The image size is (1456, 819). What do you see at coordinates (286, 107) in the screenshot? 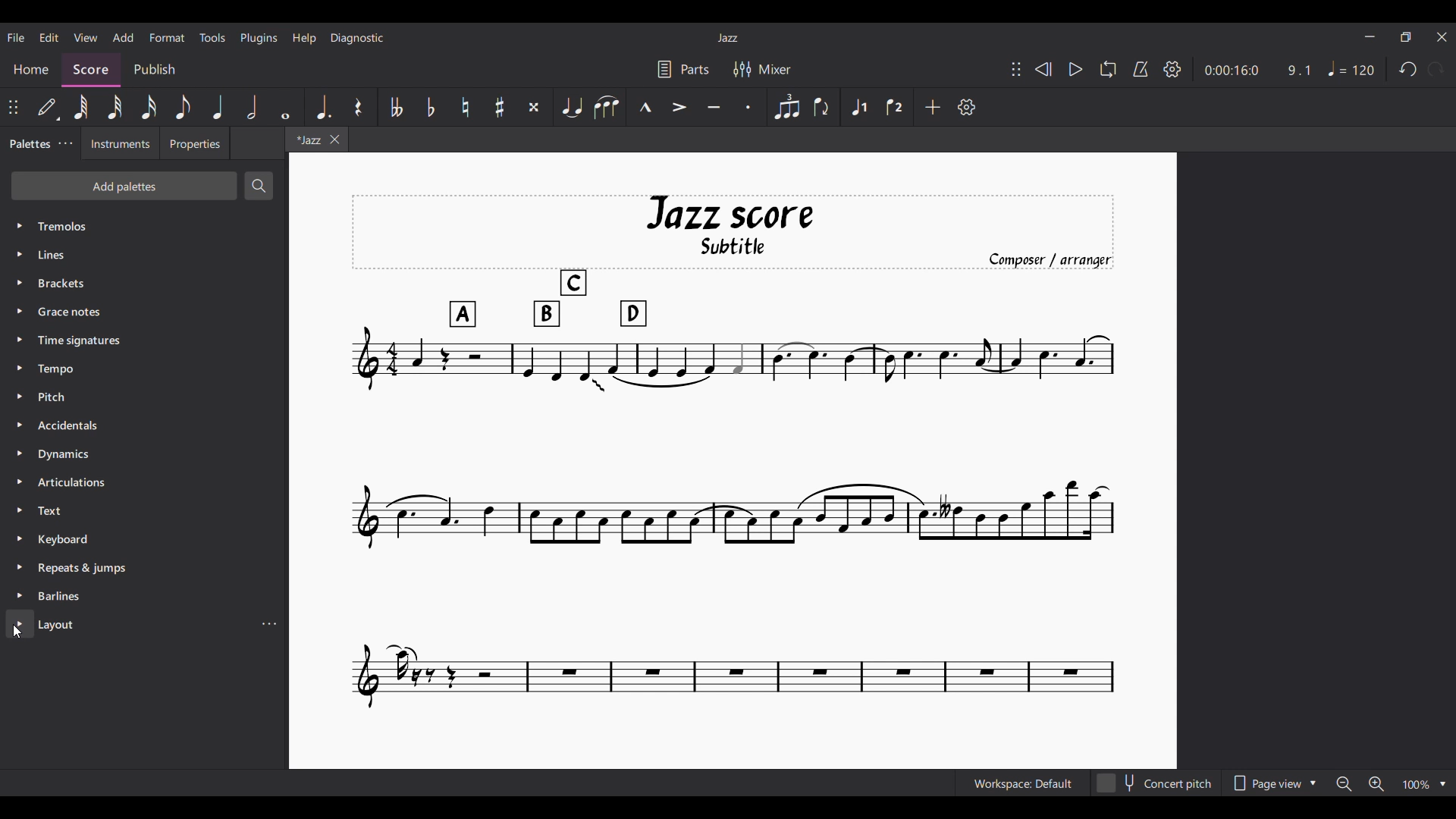
I see `Whole note` at bounding box center [286, 107].